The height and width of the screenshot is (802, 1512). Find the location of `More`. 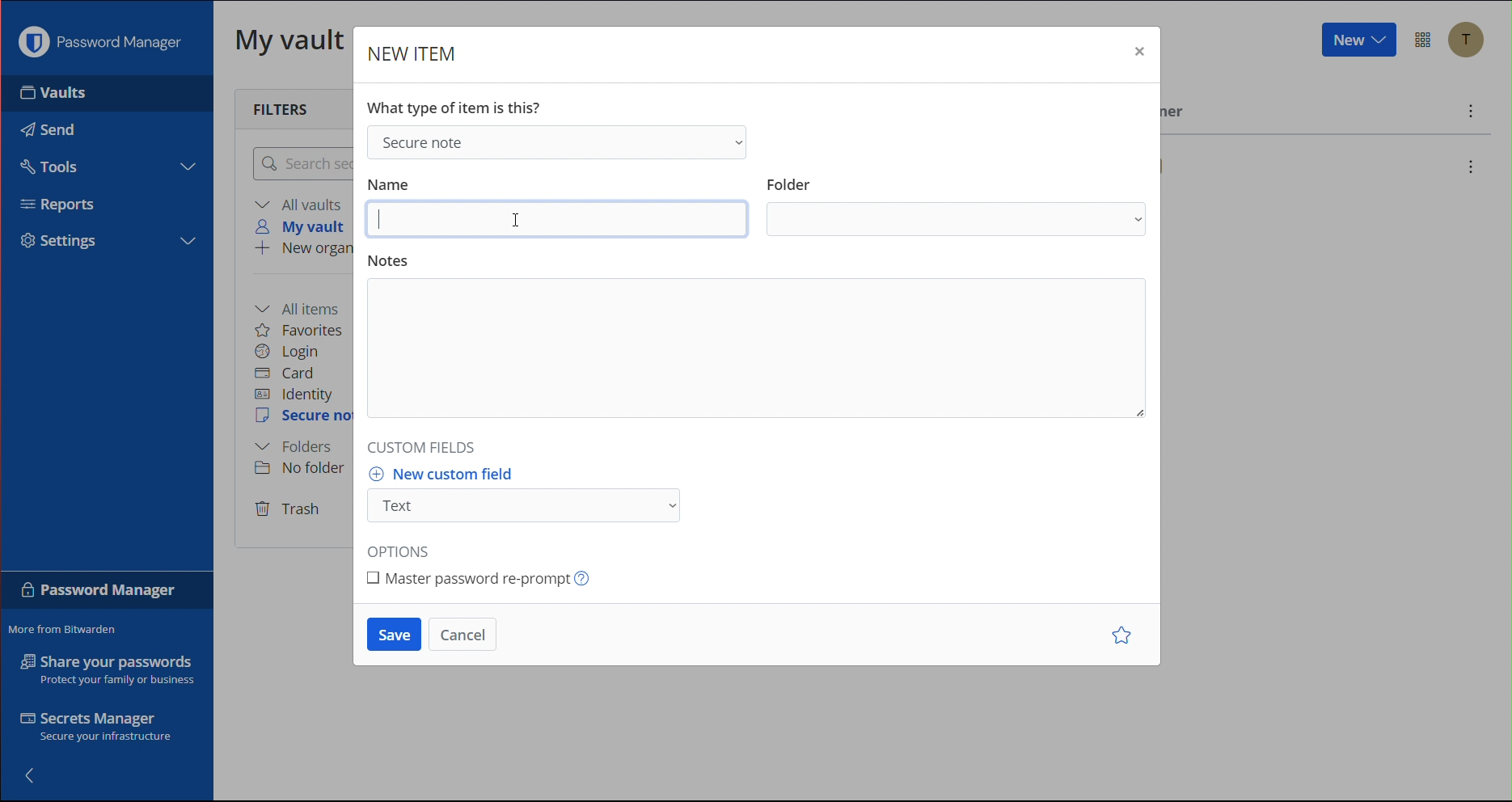

More is located at coordinates (1472, 113).